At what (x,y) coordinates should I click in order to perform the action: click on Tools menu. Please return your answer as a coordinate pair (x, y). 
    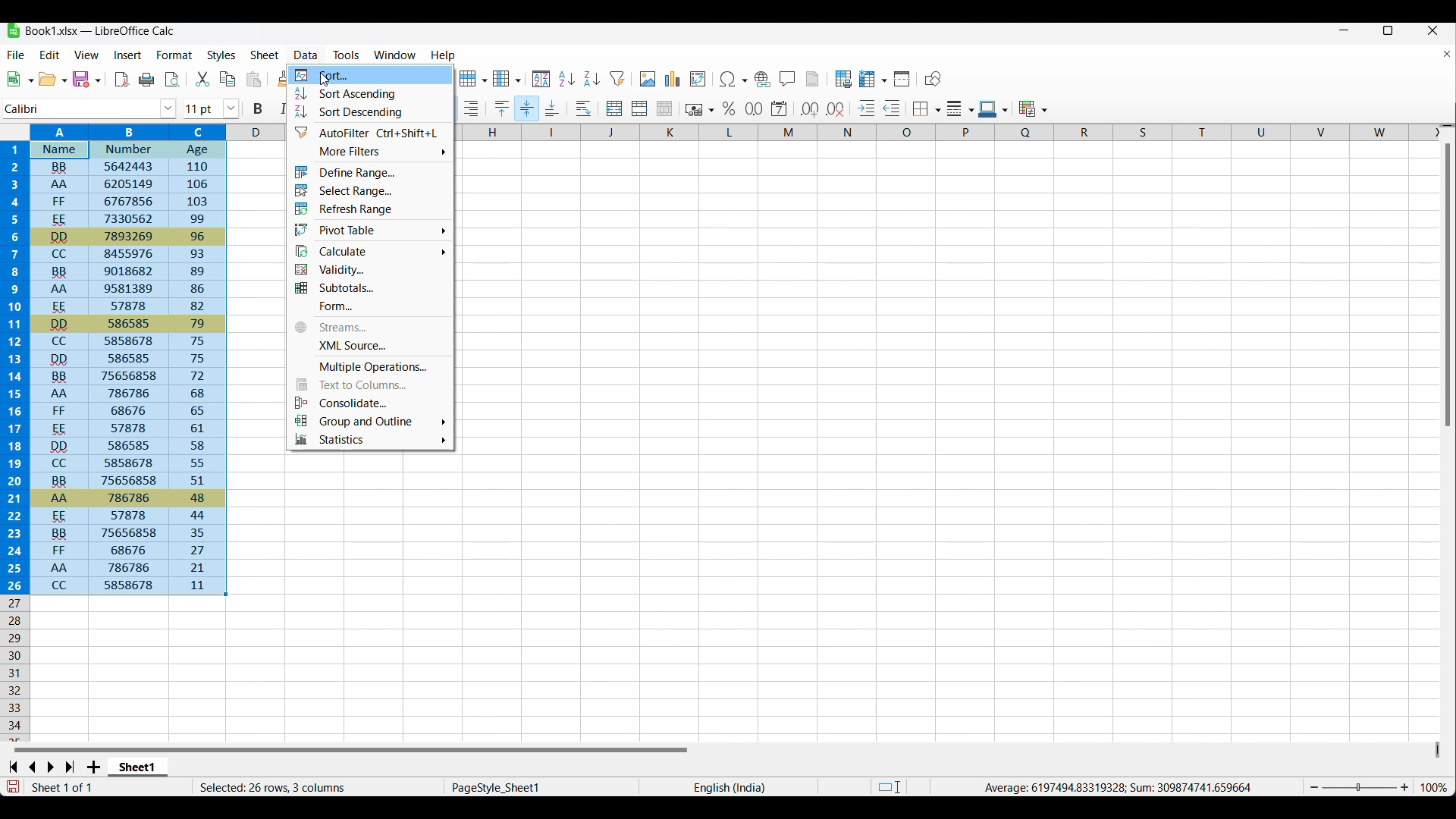
    Looking at the image, I should click on (347, 55).